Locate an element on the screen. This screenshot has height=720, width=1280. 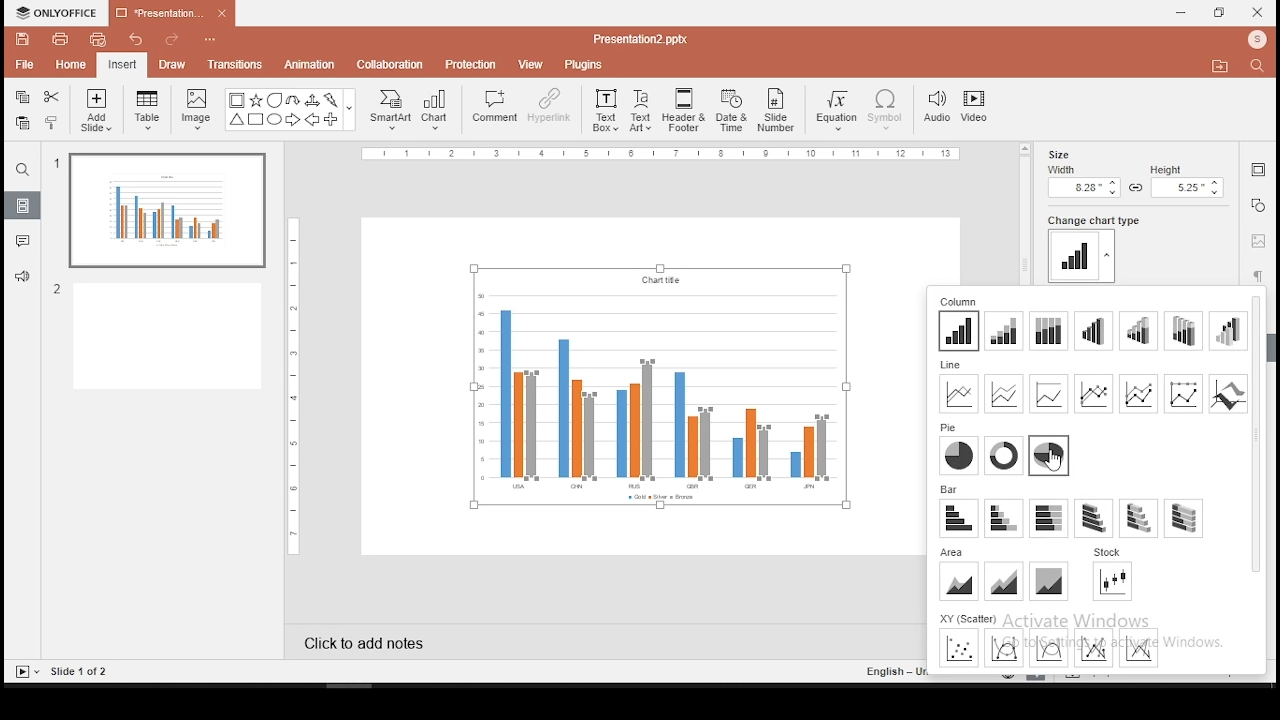
chart is located at coordinates (437, 111).